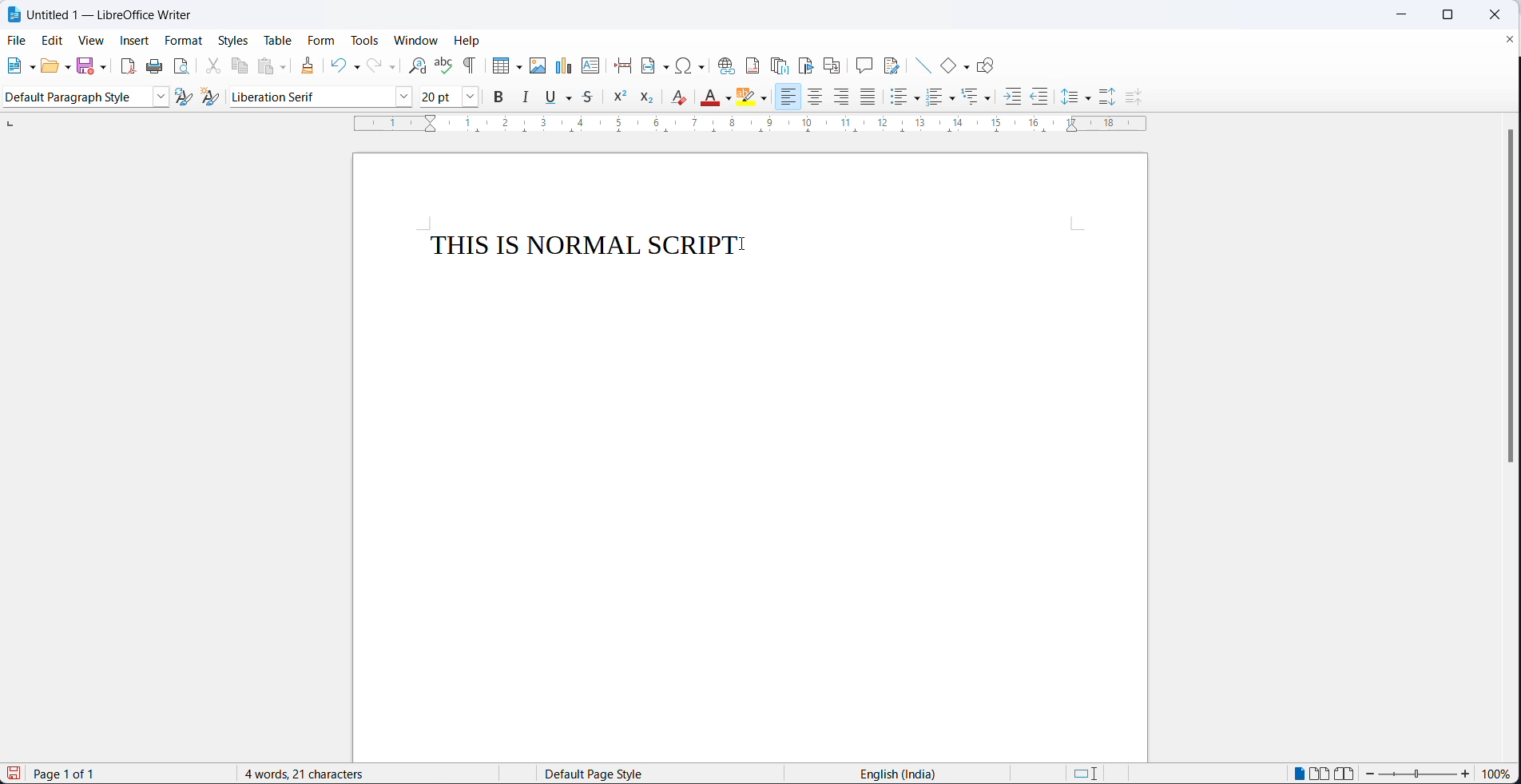 This screenshot has height=784, width=1521. I want to click on cut, so click(211, 65).